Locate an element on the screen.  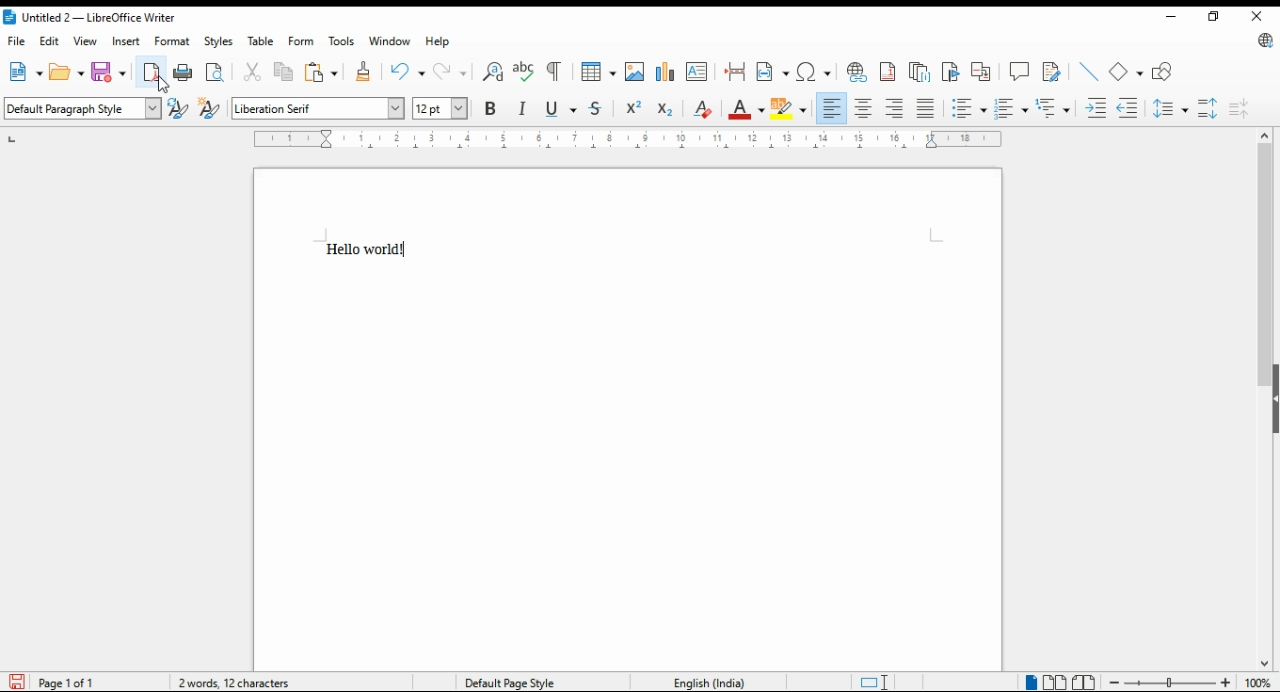
check spelling is located at coordinates (521, 73).